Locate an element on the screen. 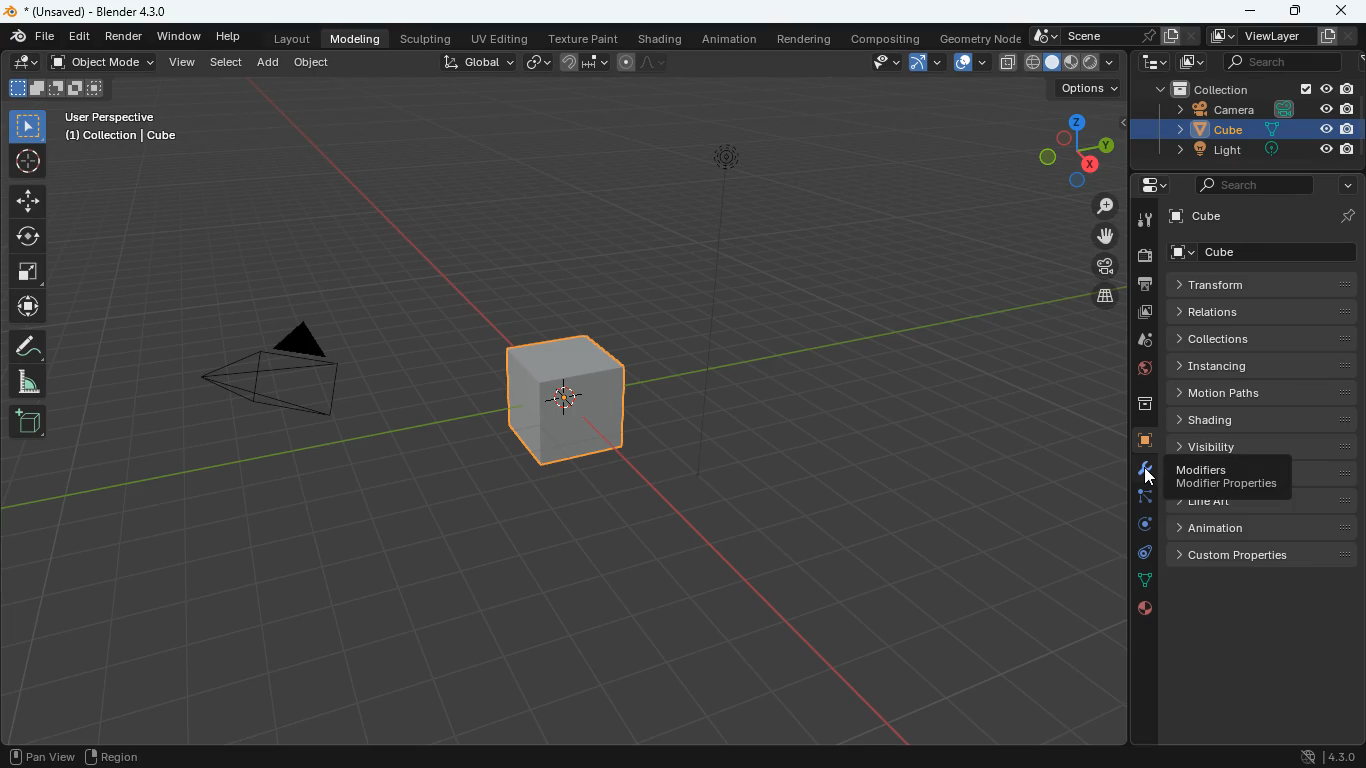 This screenshot has height=768, width=1366. public is located at coordinates (1136, 371).